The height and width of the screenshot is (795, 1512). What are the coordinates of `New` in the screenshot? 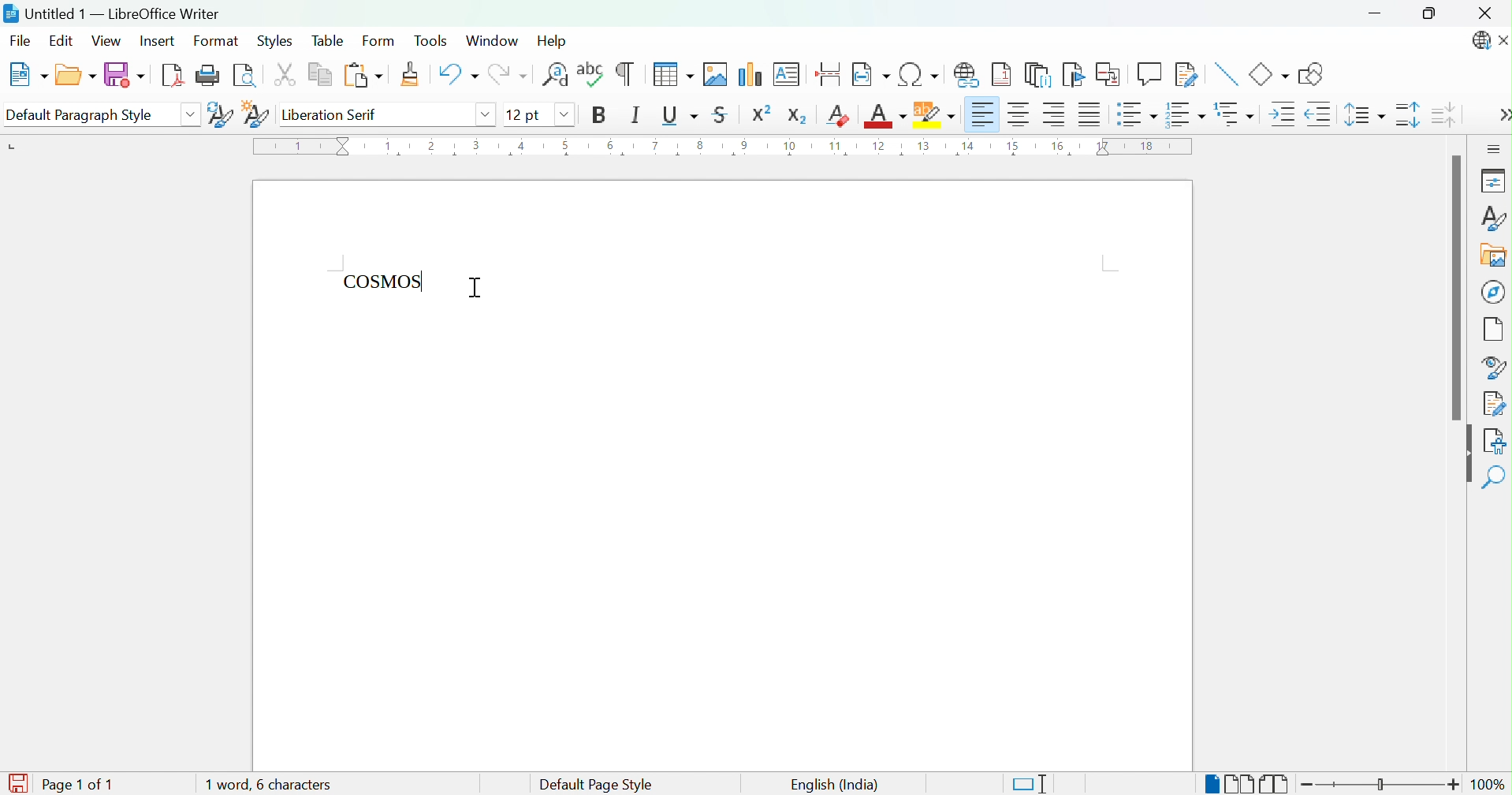 It's located at (28, 75).